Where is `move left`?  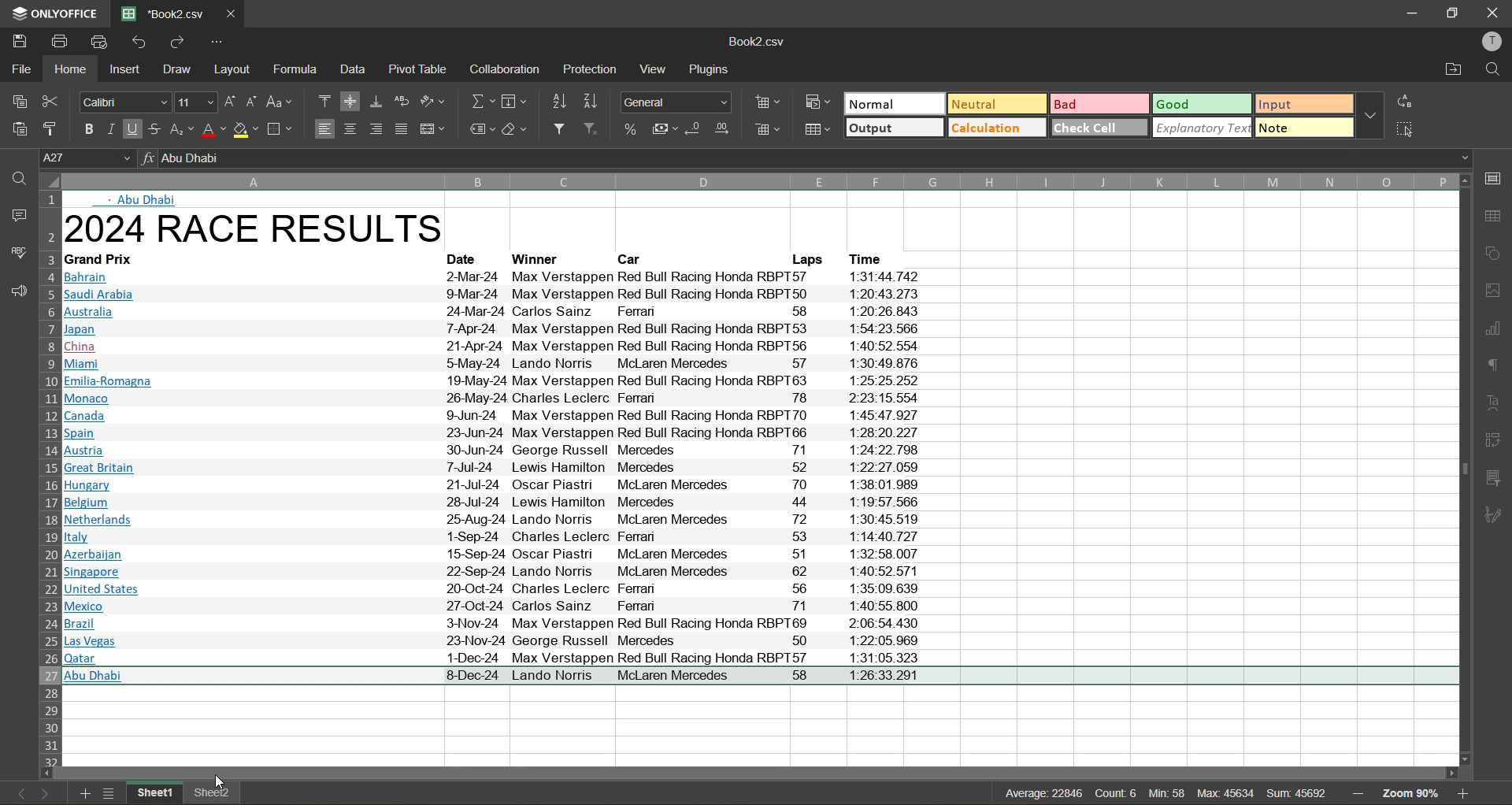
move left is located at coordinates (47, 773).